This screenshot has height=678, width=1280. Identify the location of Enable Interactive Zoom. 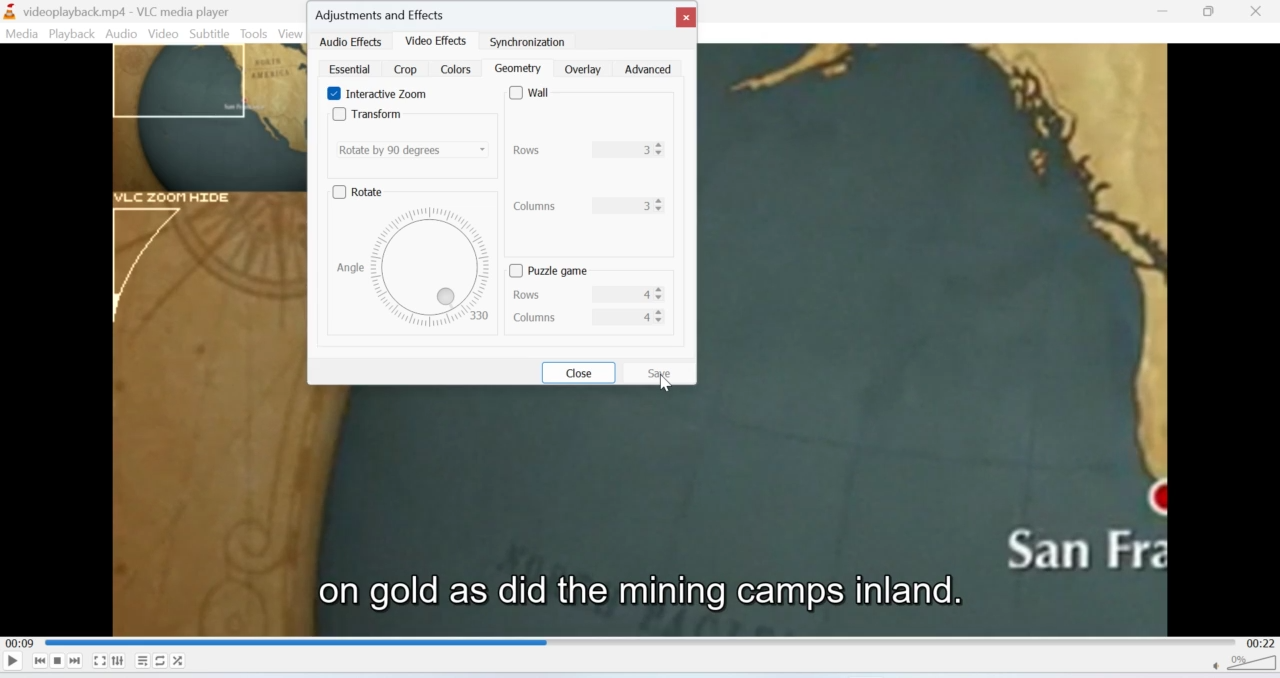
(335, 92).